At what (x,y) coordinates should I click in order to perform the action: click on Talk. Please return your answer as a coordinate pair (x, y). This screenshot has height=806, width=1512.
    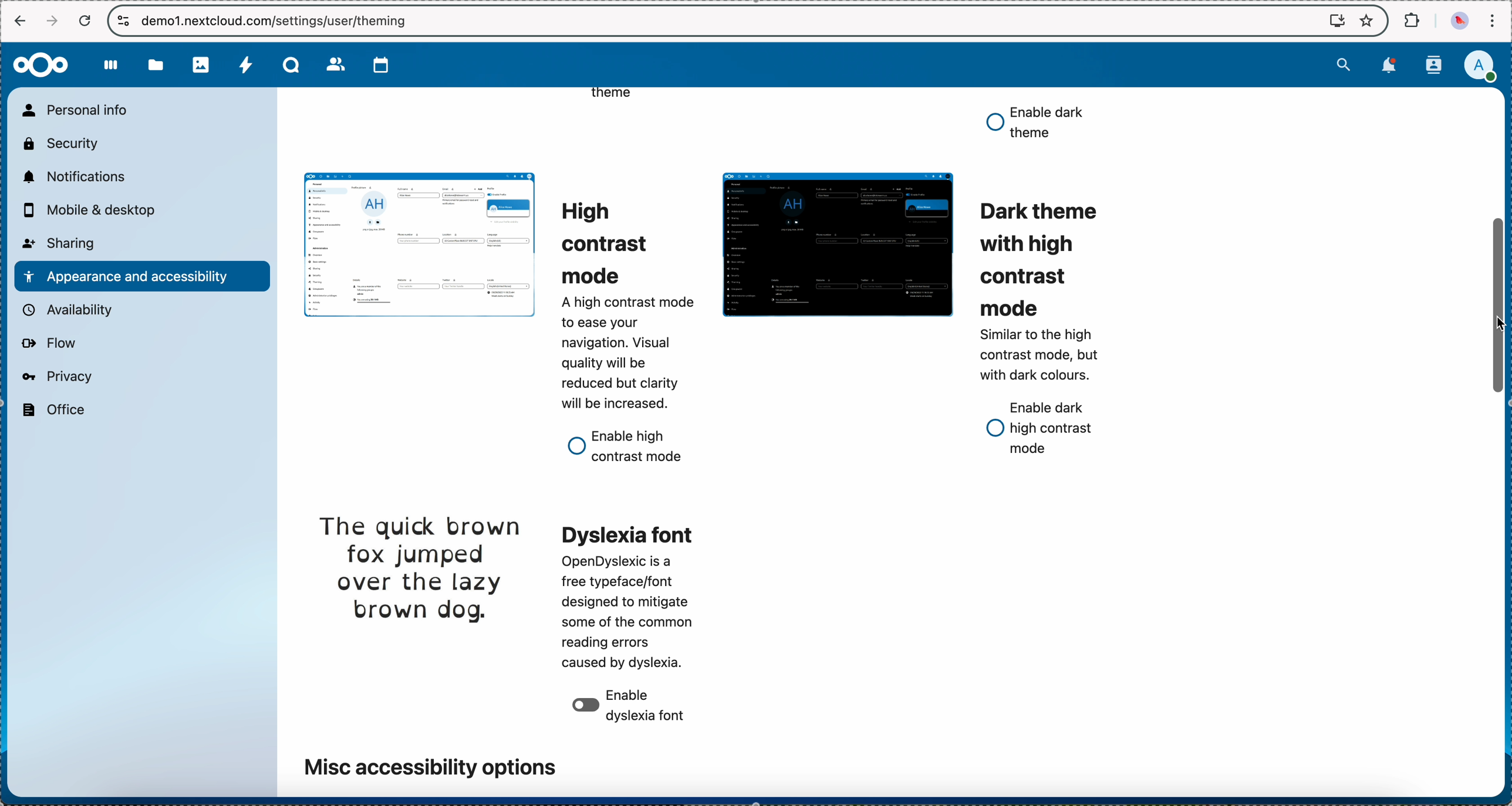
    Looking at the image, I should click on (289, 66).